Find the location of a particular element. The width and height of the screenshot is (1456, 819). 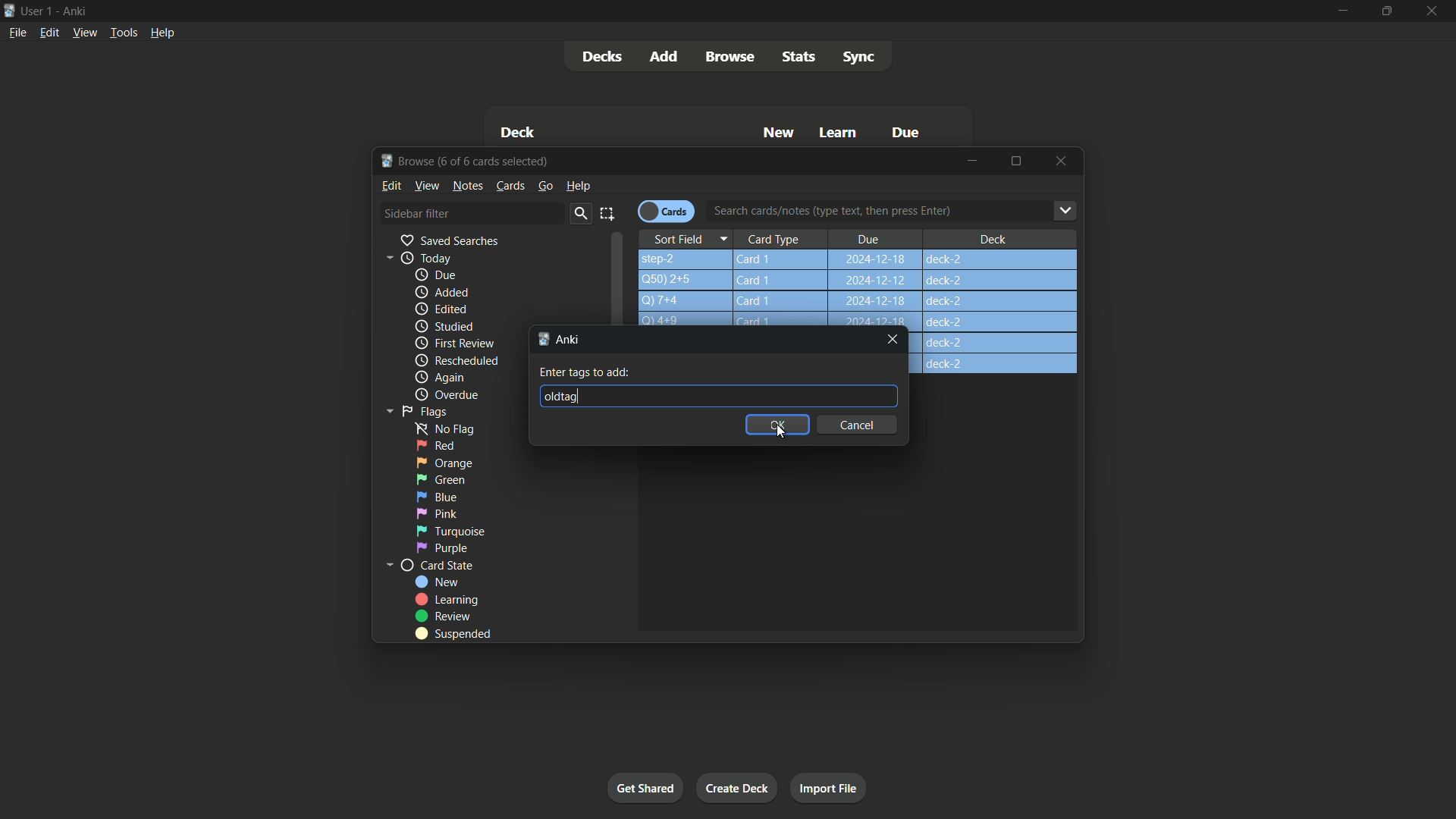

Saved searches is located at coordinates (448, 240).